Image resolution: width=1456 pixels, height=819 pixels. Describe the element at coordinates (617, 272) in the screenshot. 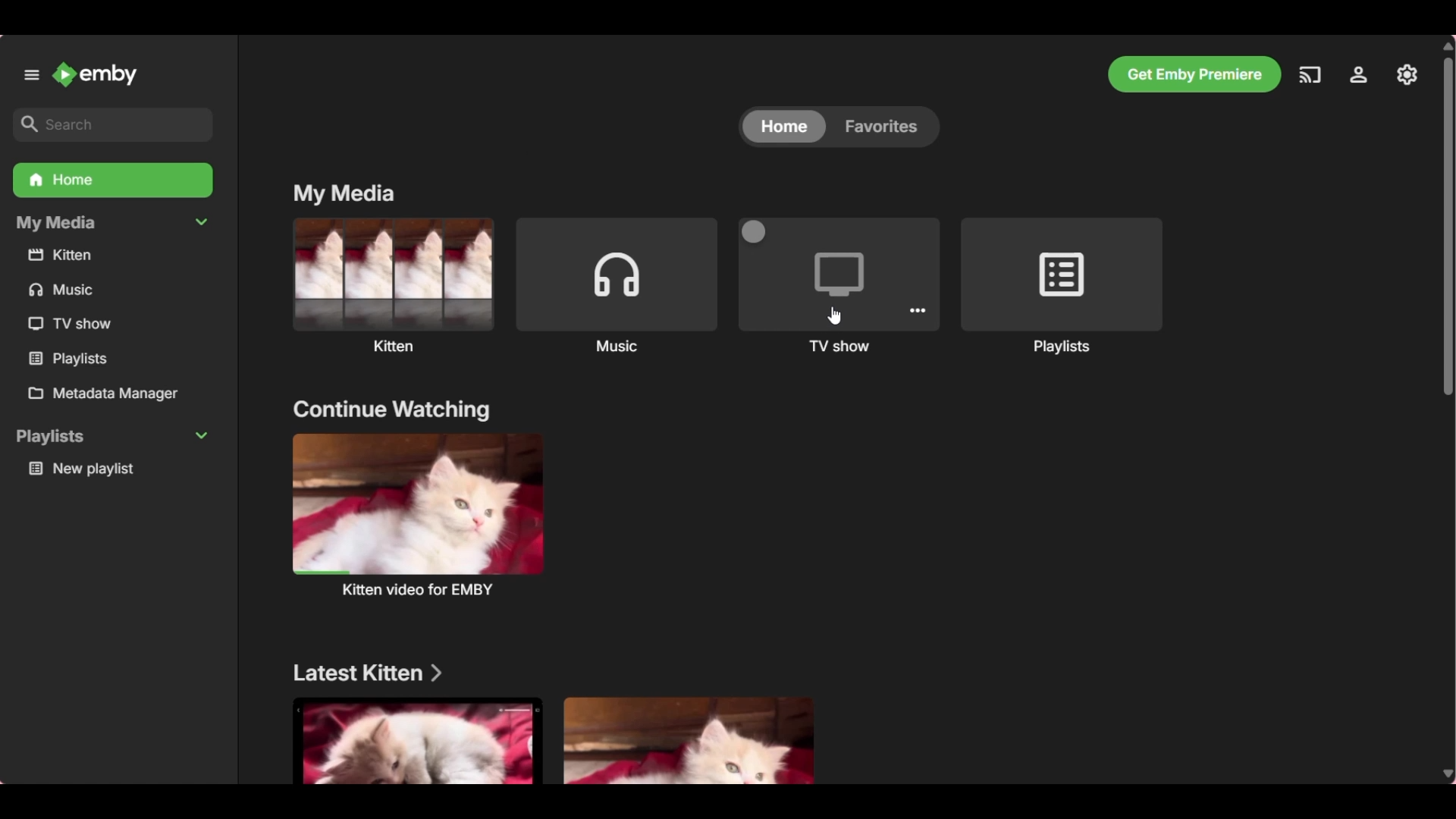

I see `Music` at that location.